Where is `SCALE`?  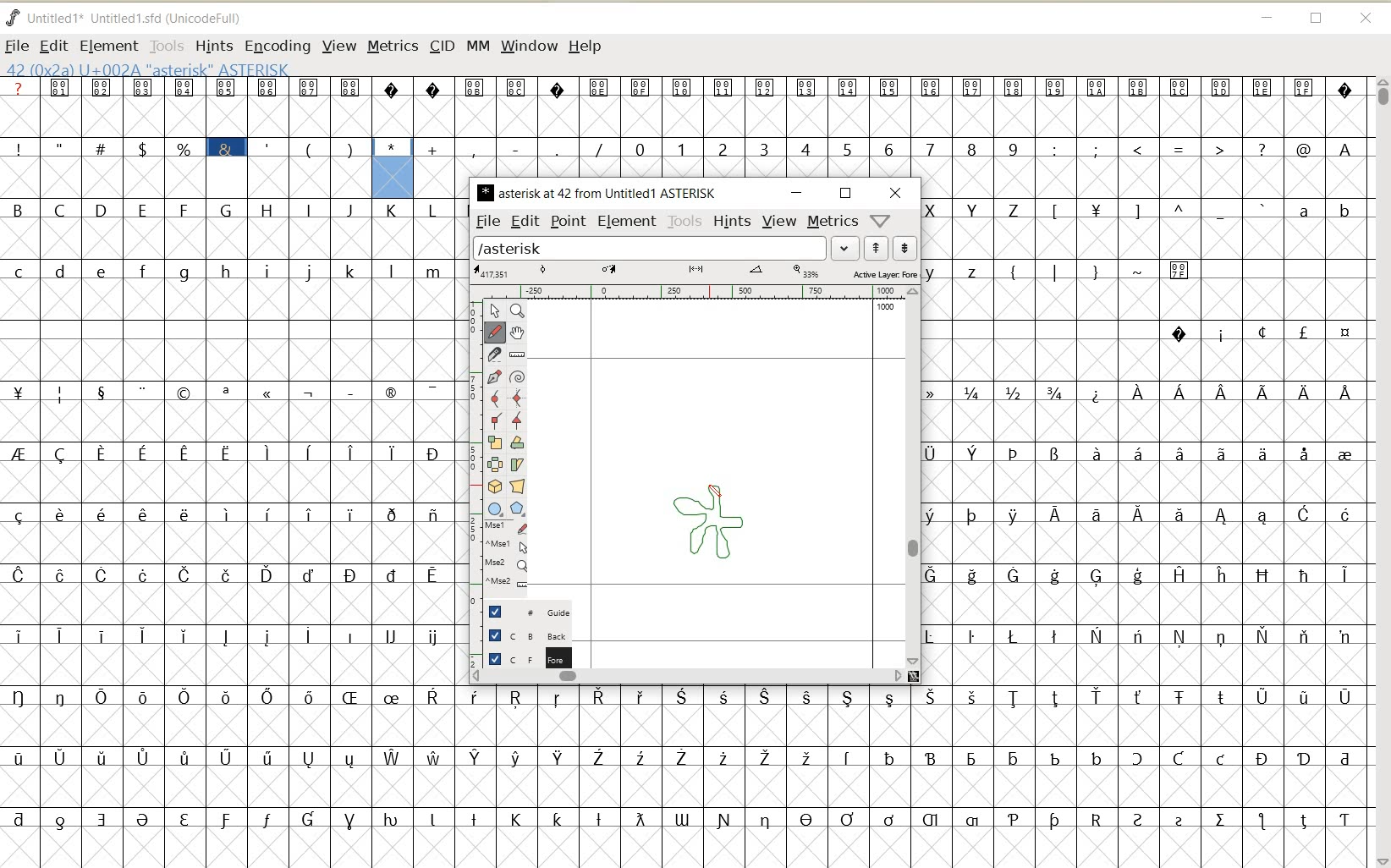
SCALE is located at coordinates (476, 448).